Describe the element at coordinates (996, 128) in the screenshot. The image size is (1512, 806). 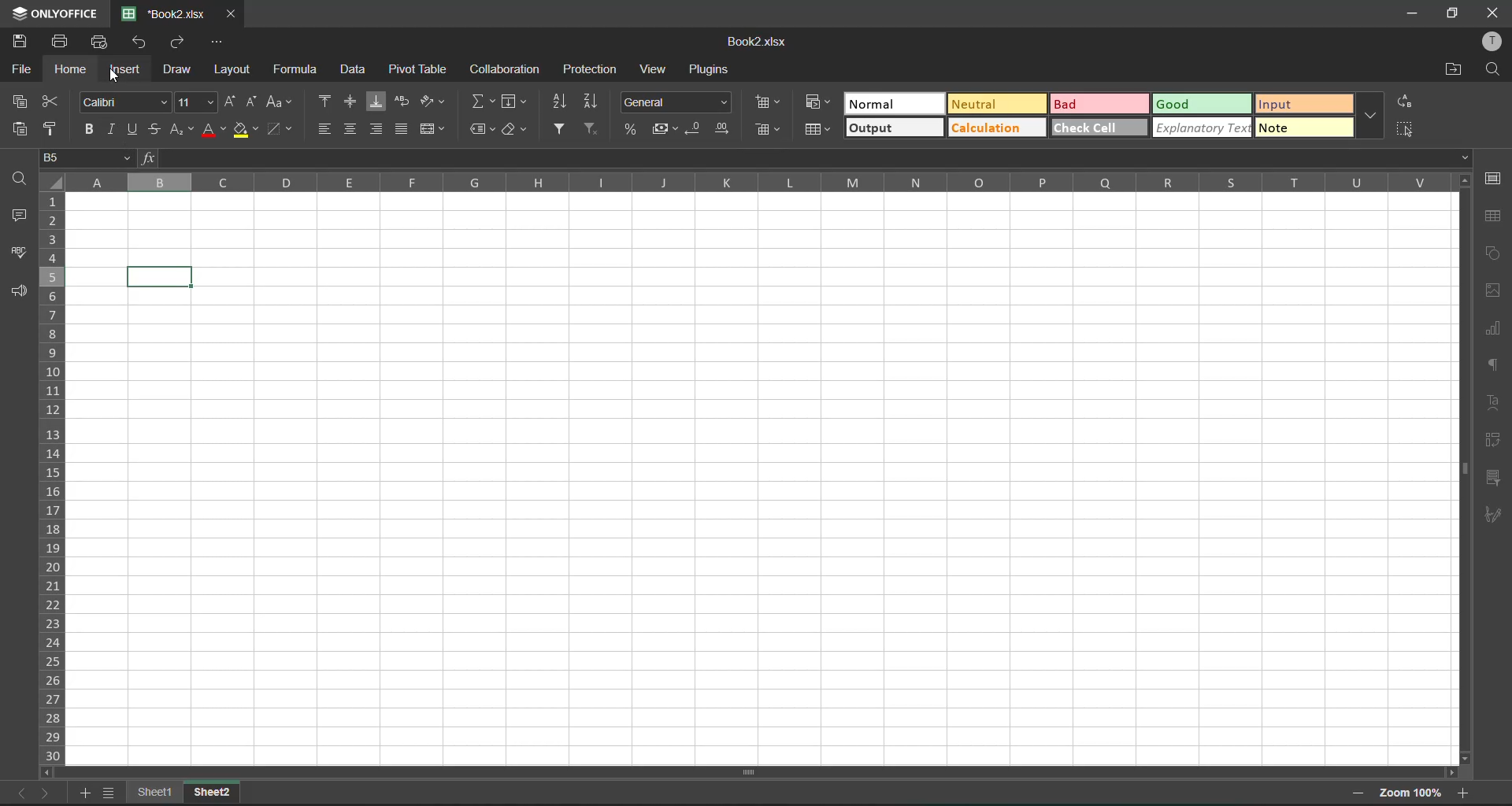
I see `calculation` at that location.